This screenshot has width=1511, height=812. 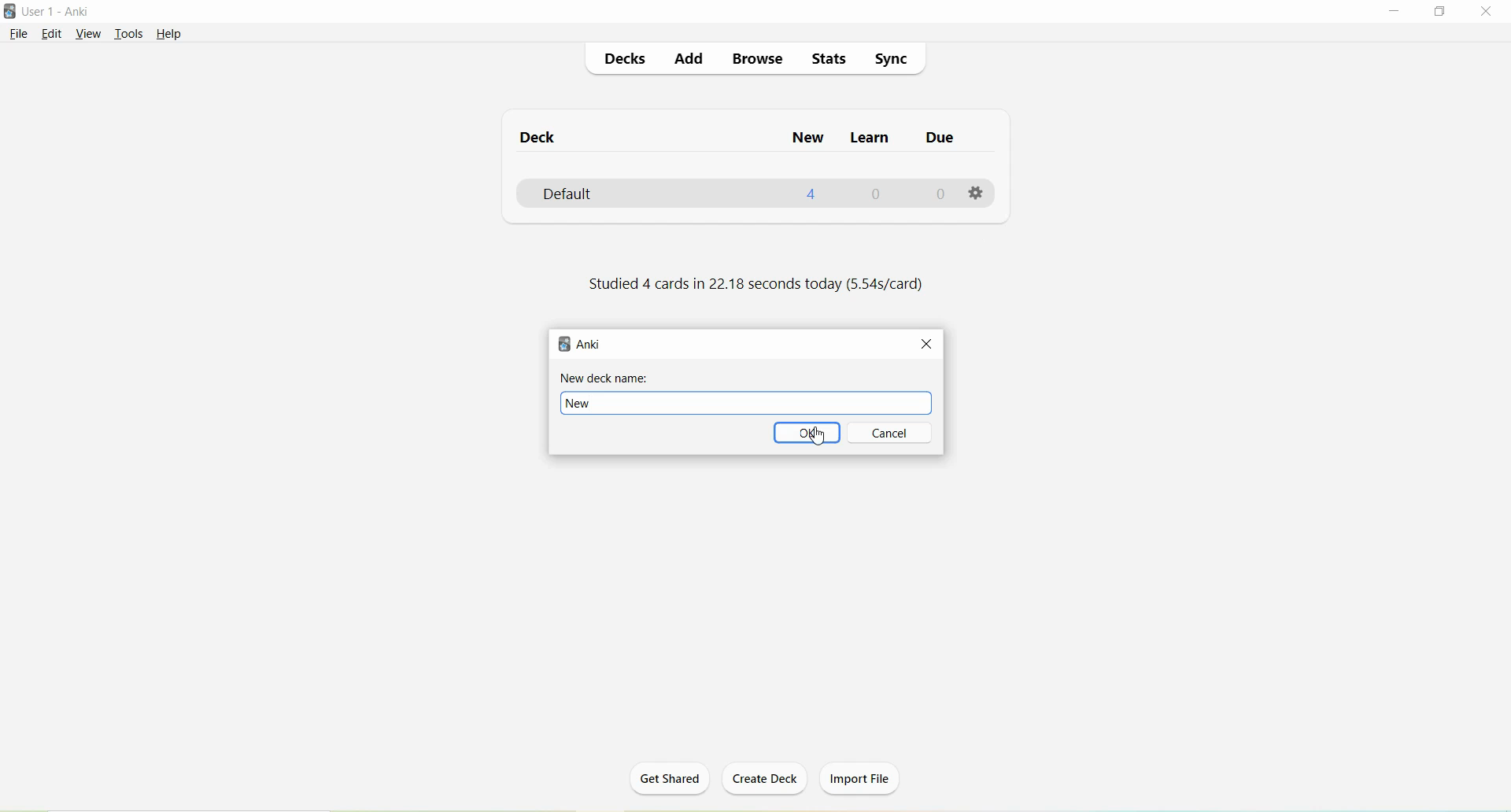 I want to click on Close, so click(x=1489, y=13).